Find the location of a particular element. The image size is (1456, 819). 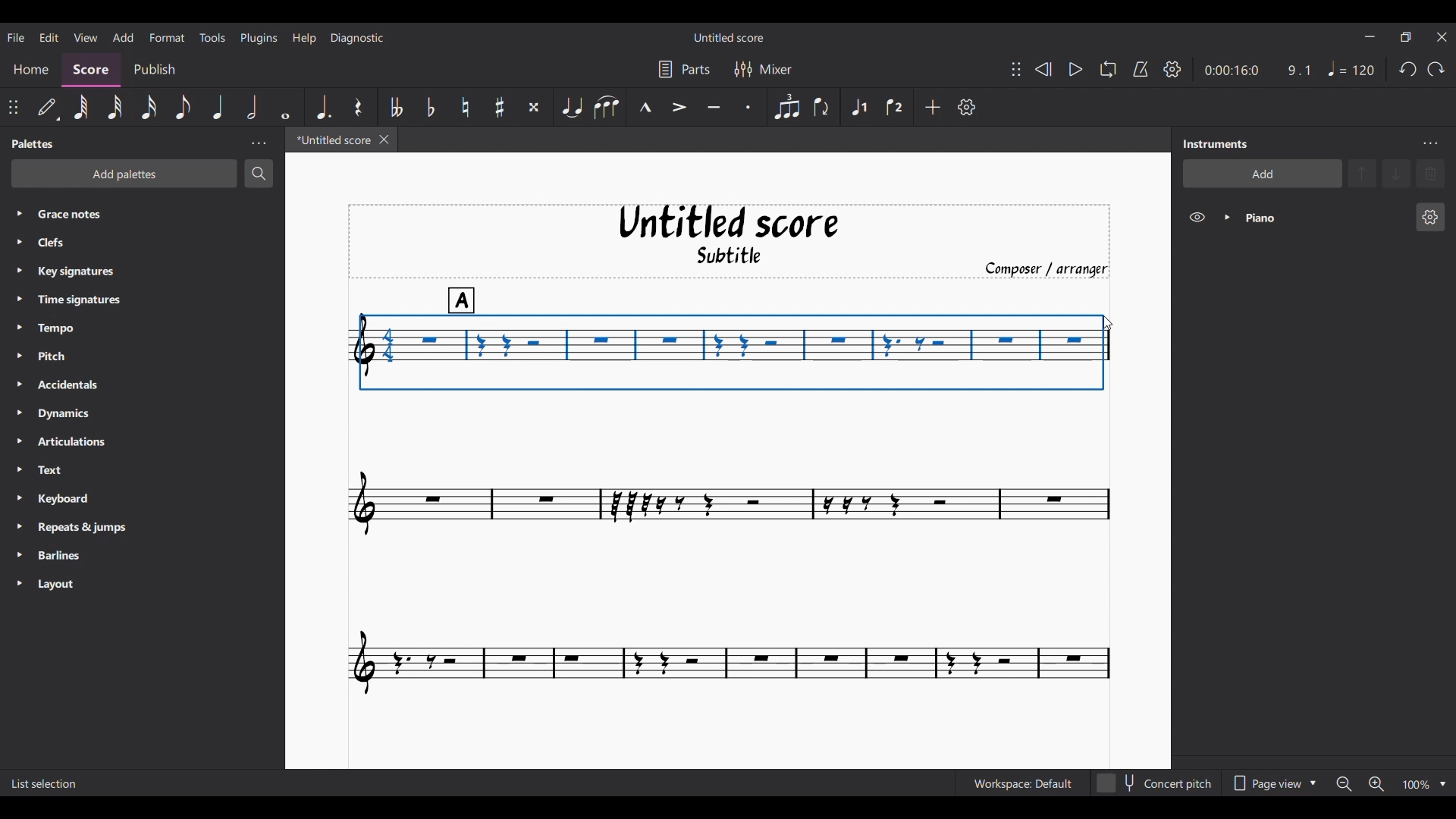

Change position of toolbar attached is located at coordinates (1016, 69).